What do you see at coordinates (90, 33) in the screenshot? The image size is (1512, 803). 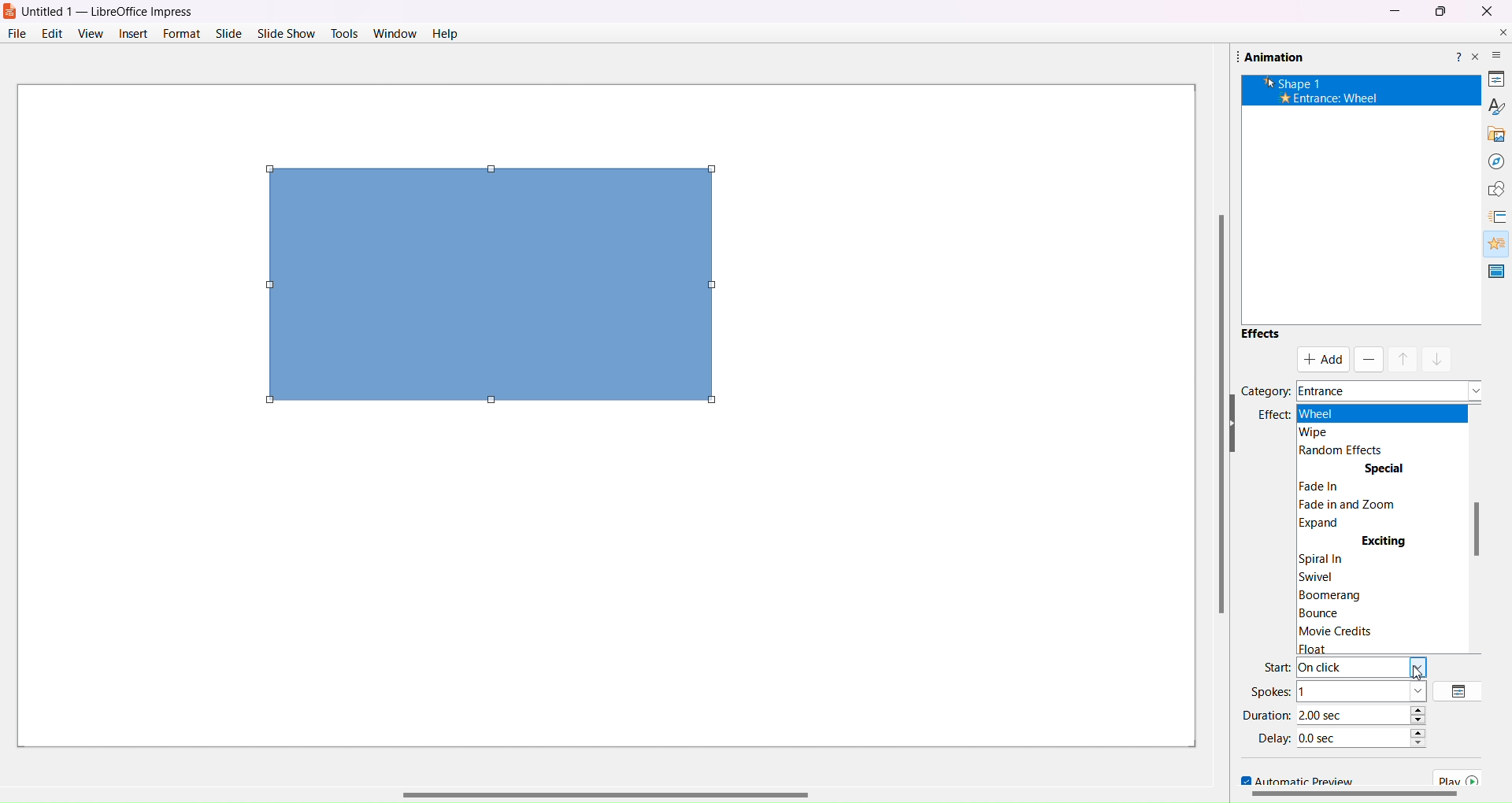 I see `View` at bounding box center [90, 33].